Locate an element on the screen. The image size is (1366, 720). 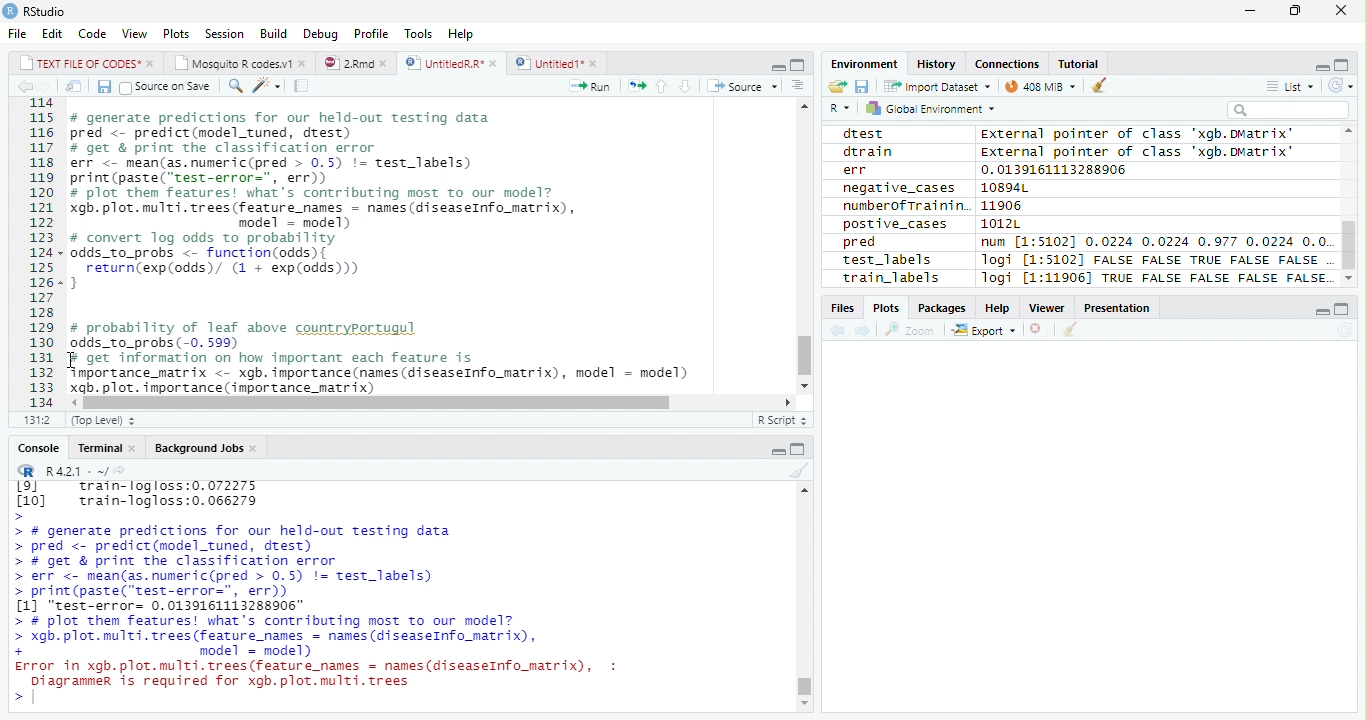
Maximize is located at coordinates (797, 63).